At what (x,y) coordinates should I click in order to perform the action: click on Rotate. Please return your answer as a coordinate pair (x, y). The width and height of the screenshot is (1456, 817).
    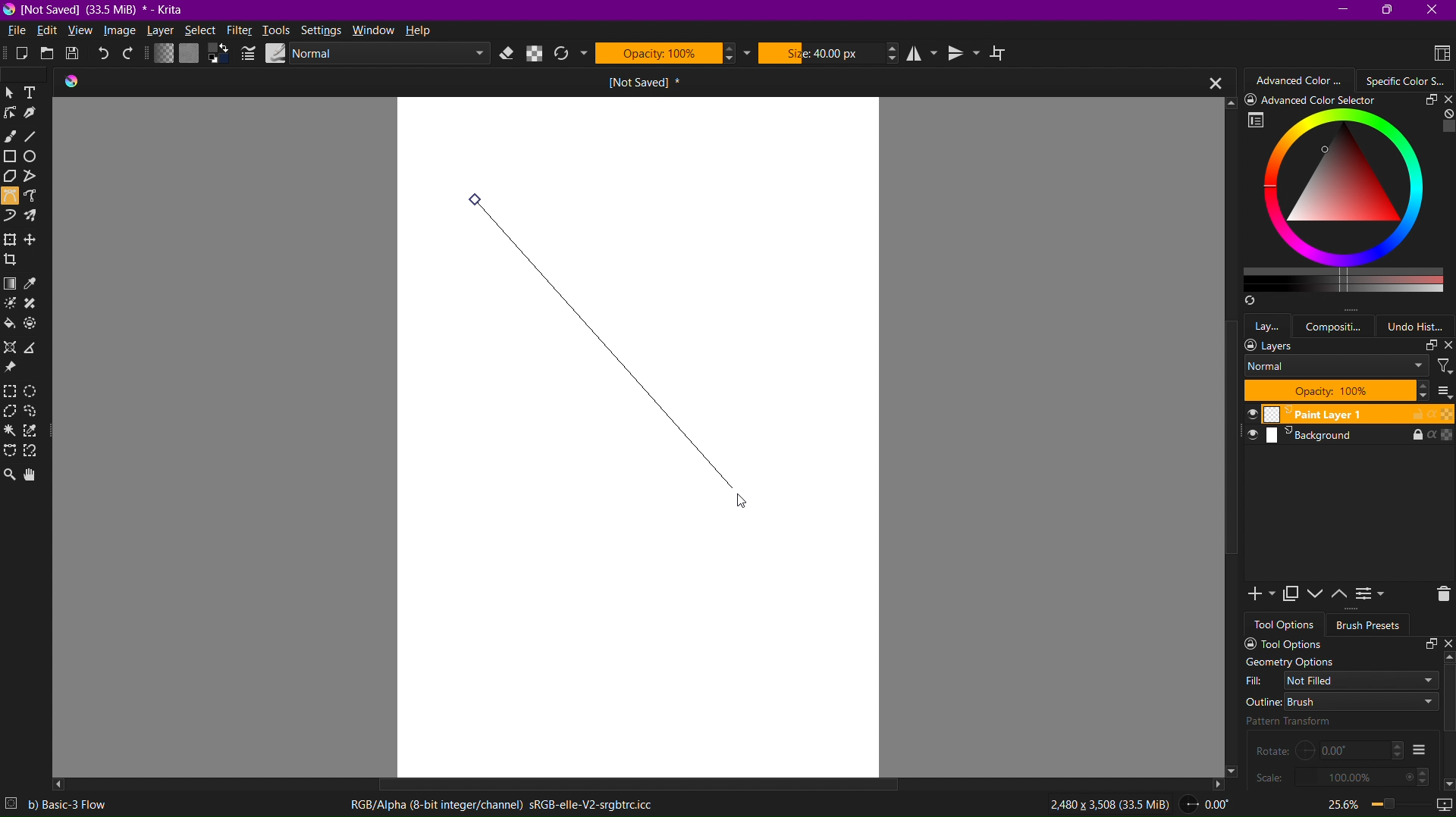
    Looking at the image, I should click on (1329, 750).